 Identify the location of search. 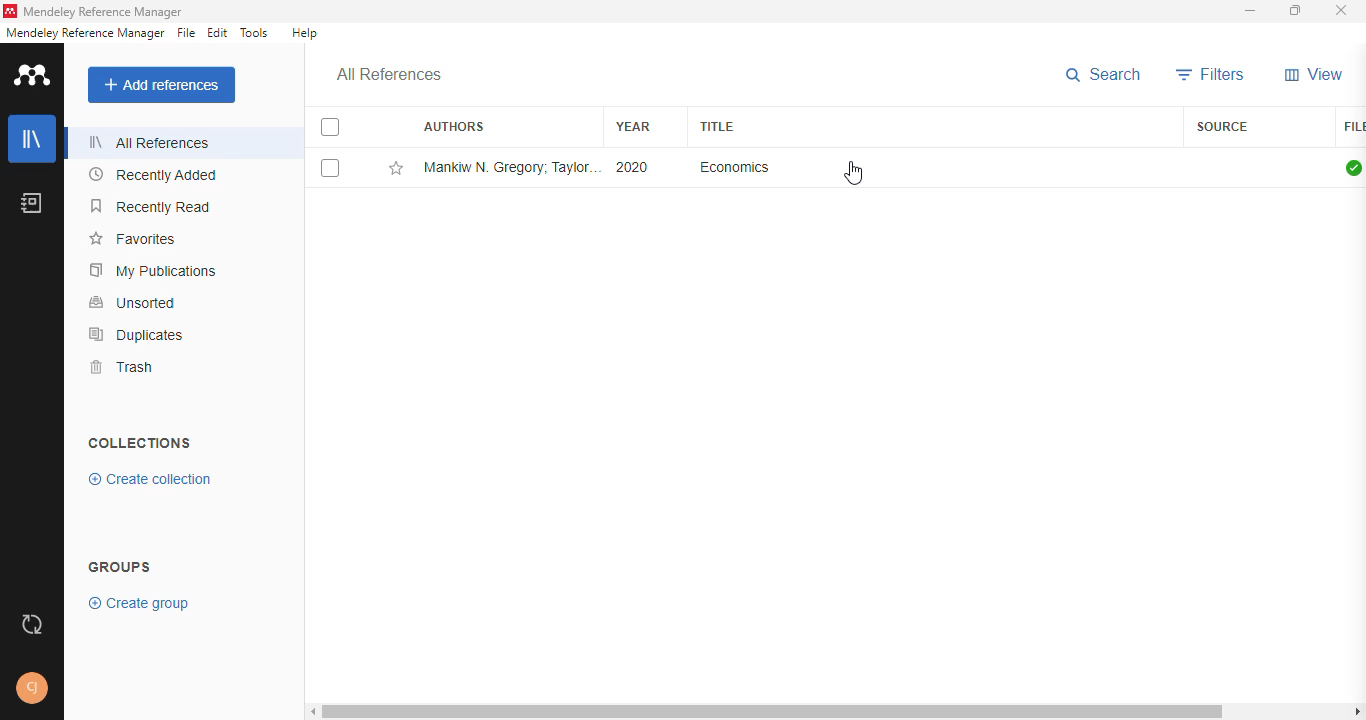
(1104, 75).